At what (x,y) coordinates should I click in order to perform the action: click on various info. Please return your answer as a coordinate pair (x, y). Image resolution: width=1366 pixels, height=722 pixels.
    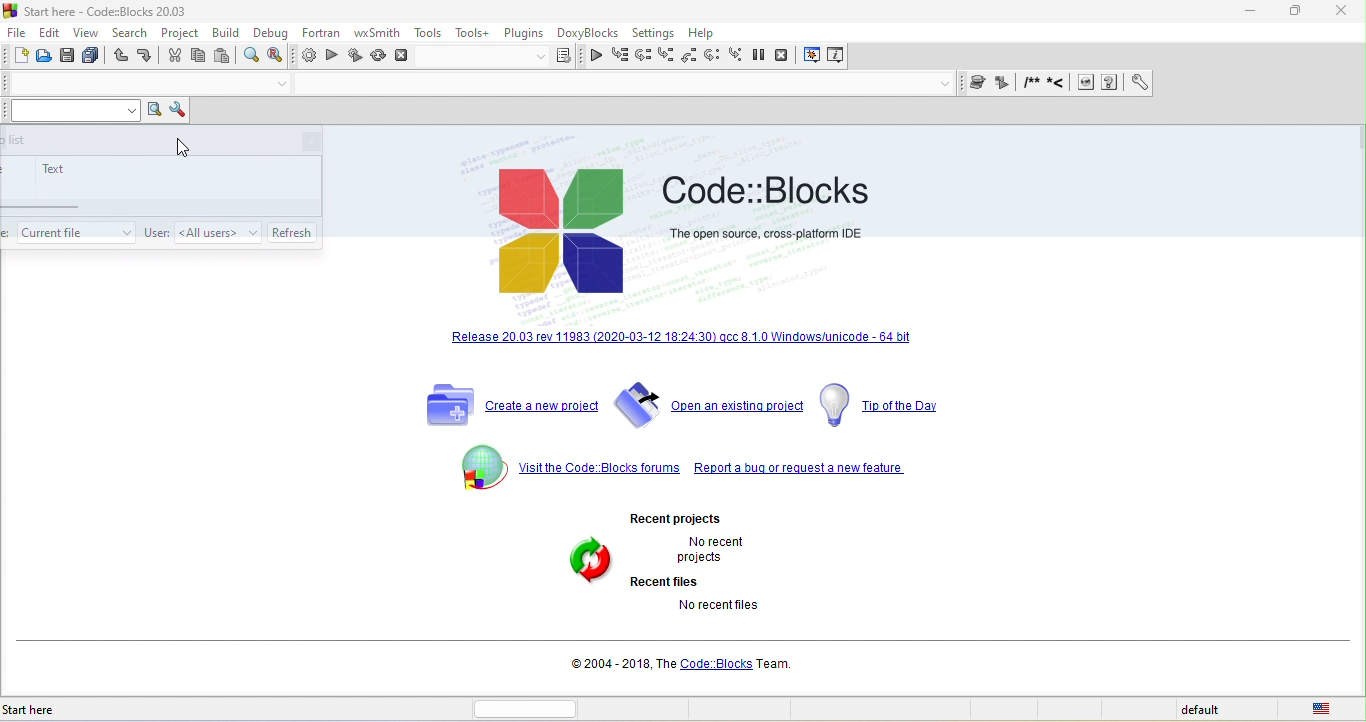
    Looking at the image, I should click on (834, 57).